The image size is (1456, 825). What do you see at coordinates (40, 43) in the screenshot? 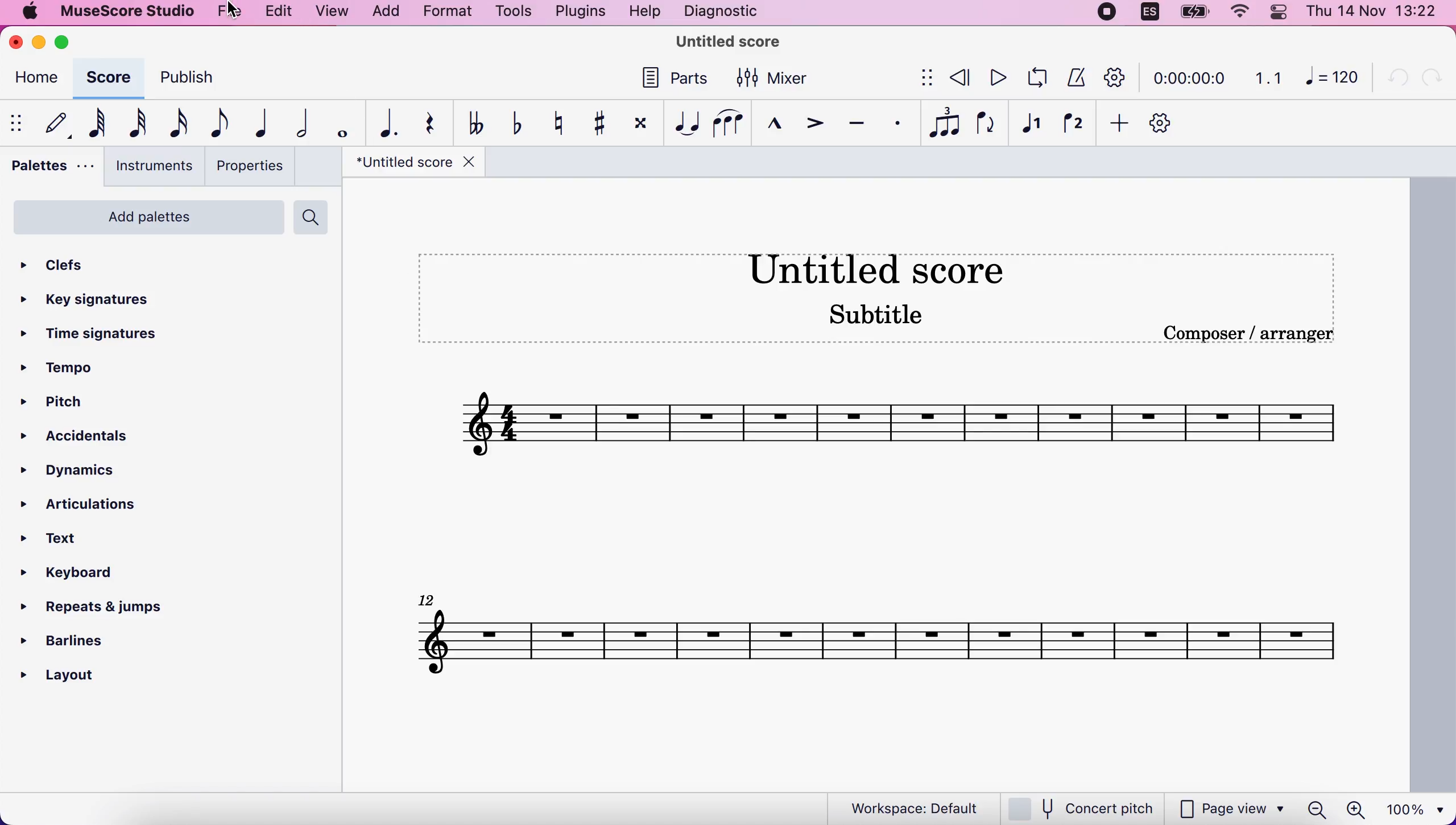
I see `minimize` at bounding box center [40, 43].